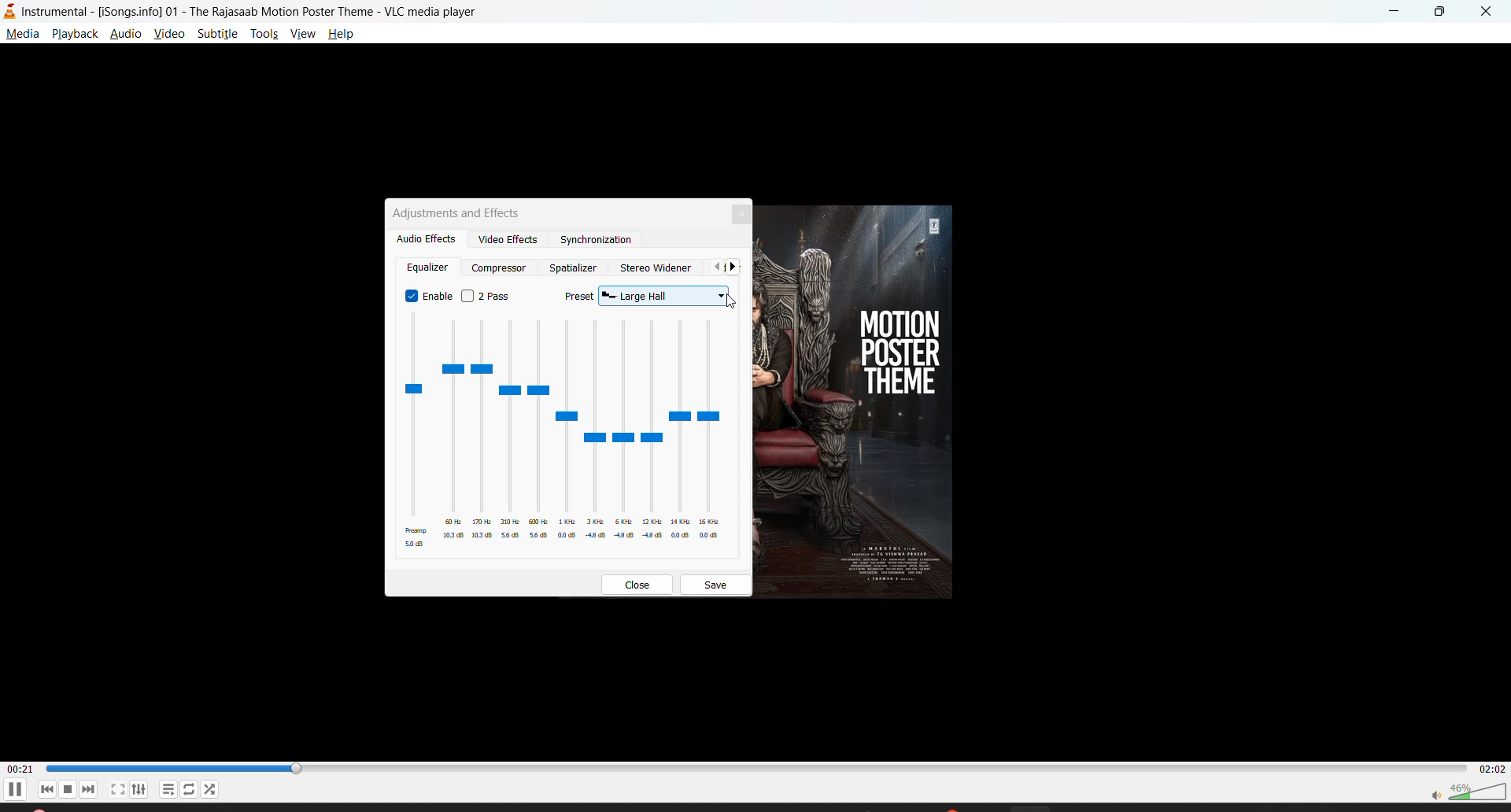 This screenshot has width=1511, height=812. Describe the element at coordinates (456, 212) in the screenshot. I see `adjustments and effects` at that location.